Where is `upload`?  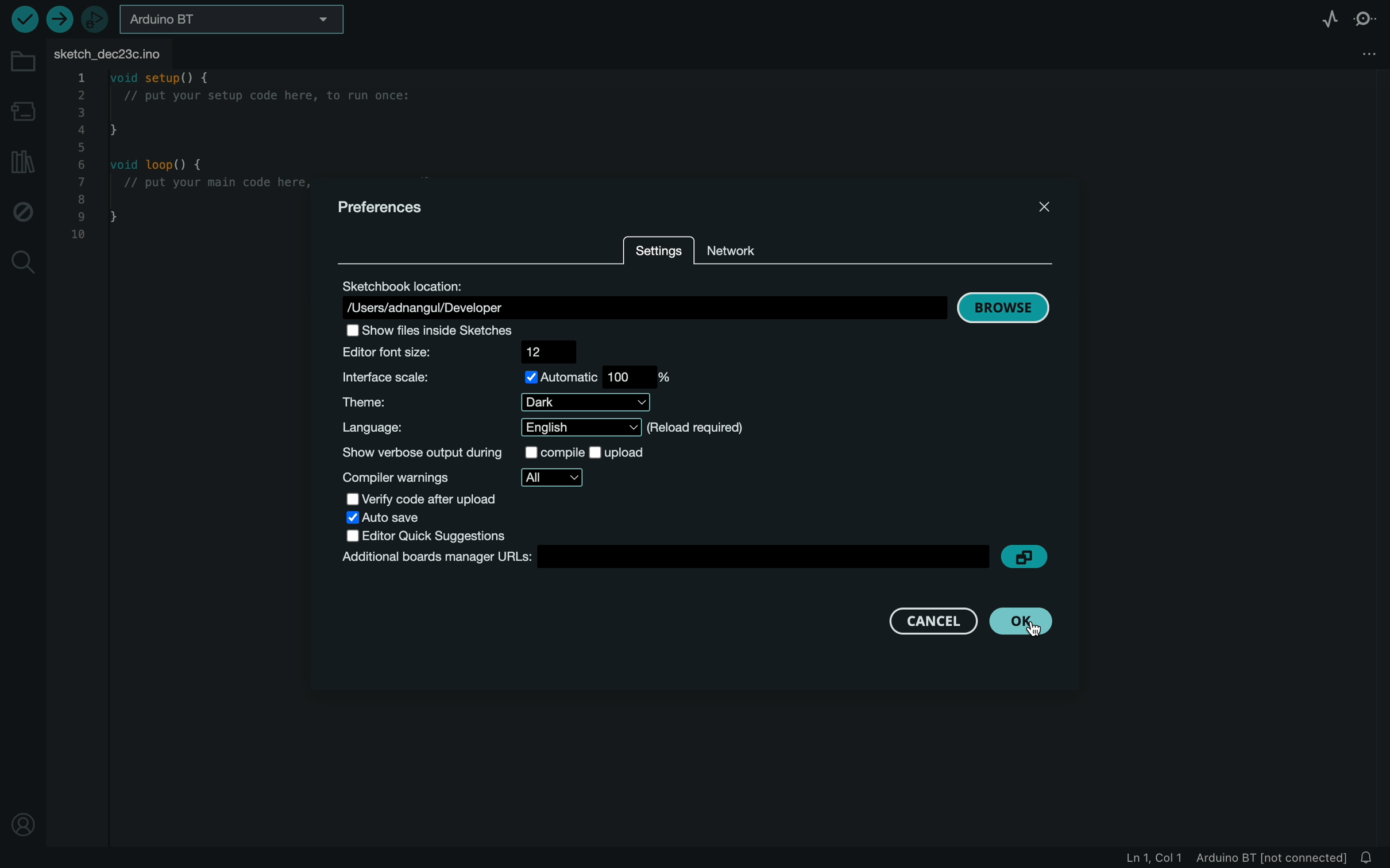
upload is located at coordinates (63, 21).